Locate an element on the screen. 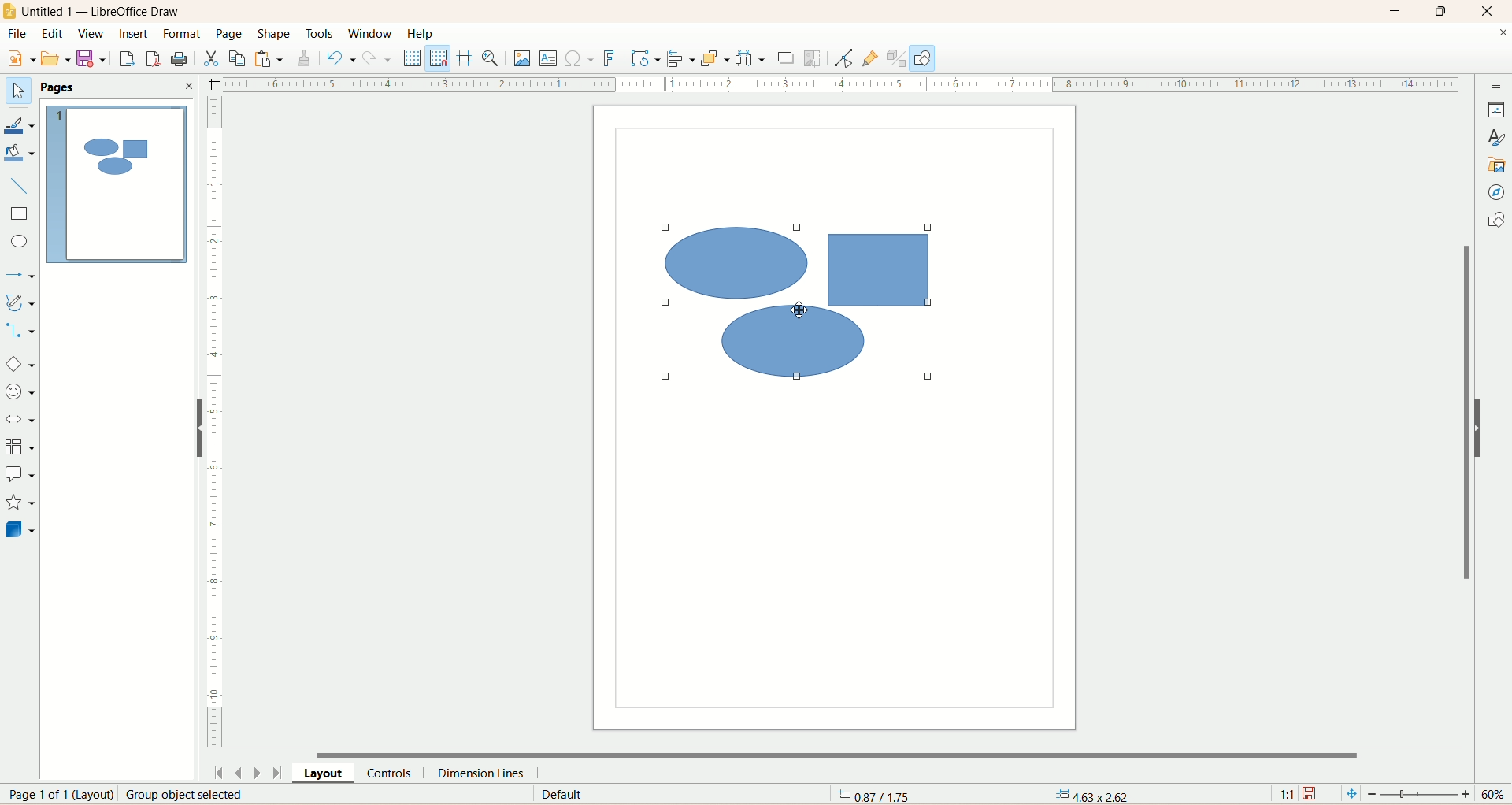 The width and height of the screenshot is (1512, 805). view is located at coordinates (91, 33).